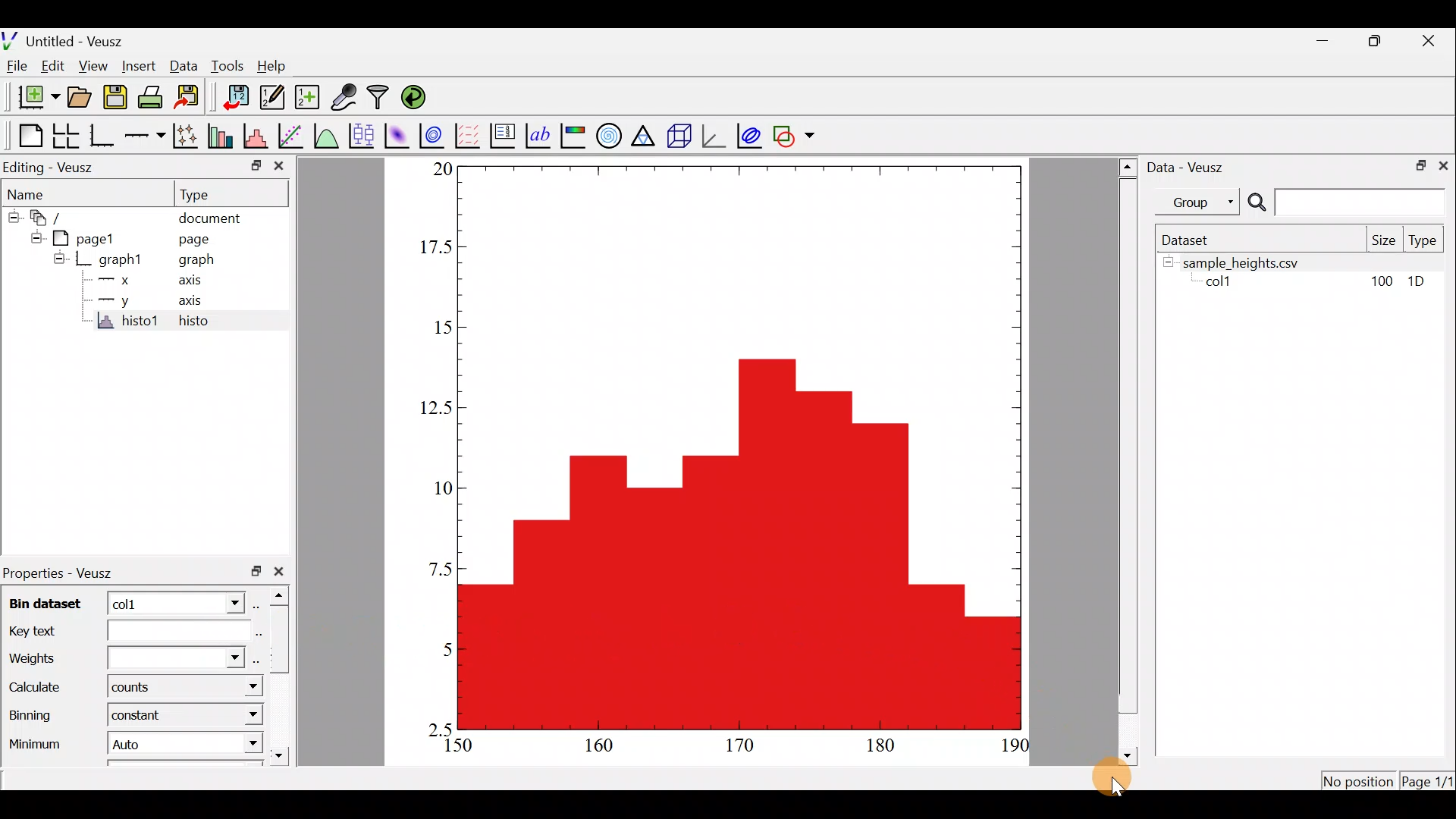  I want to click on 2.5, so click(440, 726).